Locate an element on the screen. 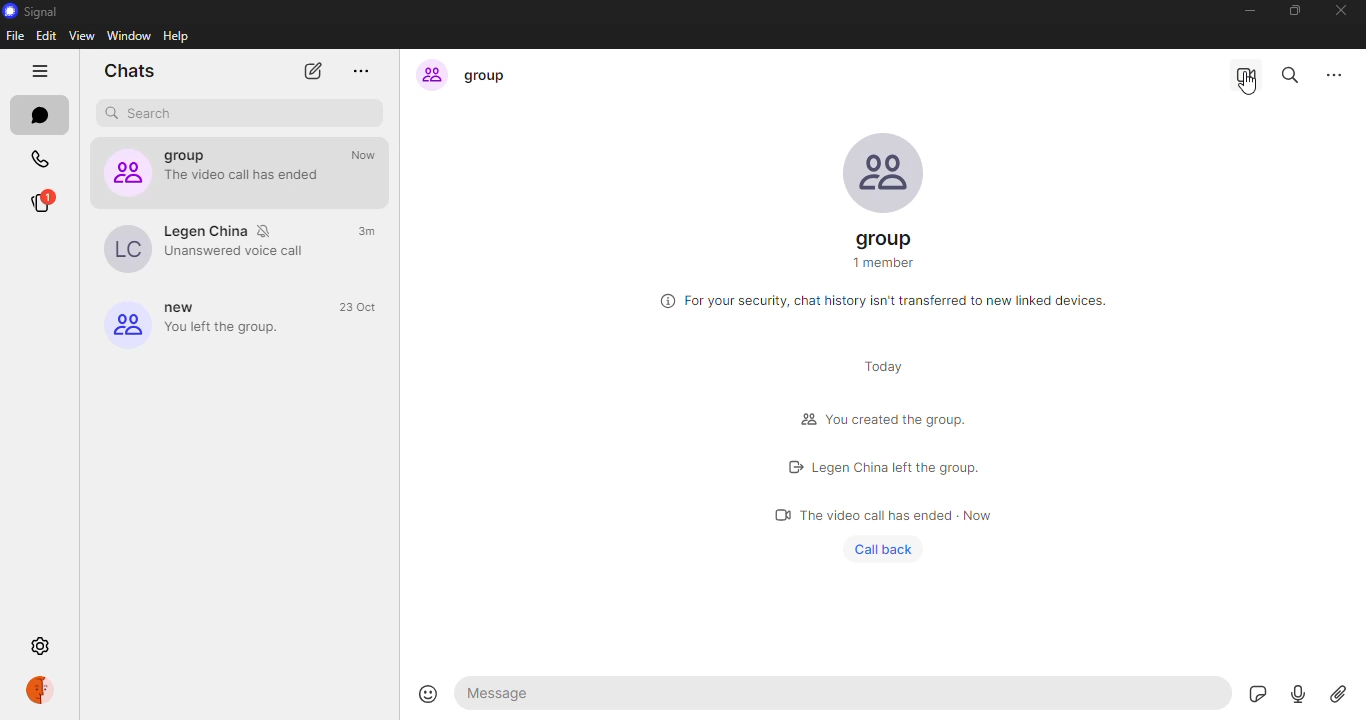 Image resolution: width=1366 pixels, height=720 pixels. search is located at coordinates (1291, 74).